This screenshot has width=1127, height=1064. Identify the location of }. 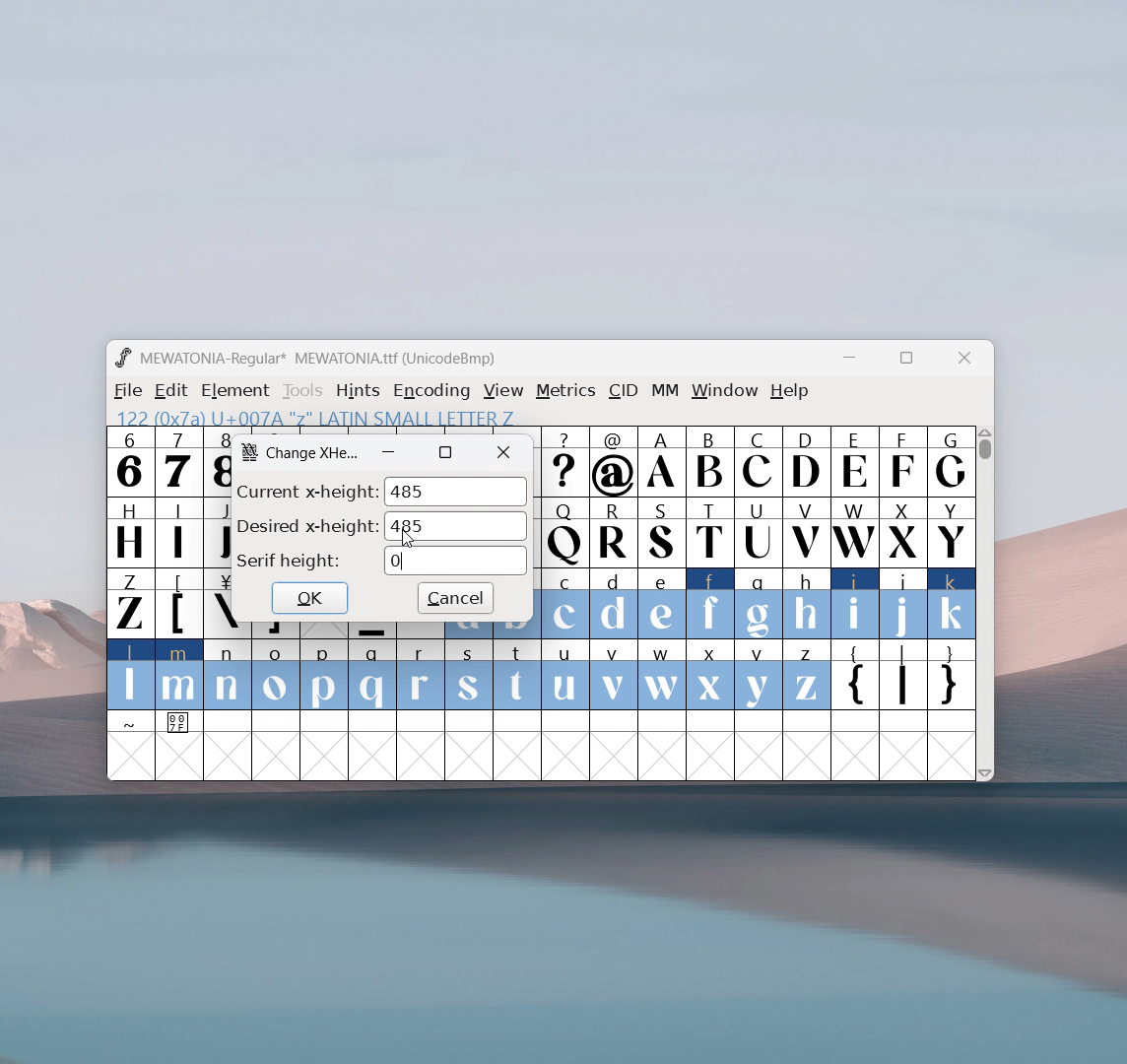
(953, 677).